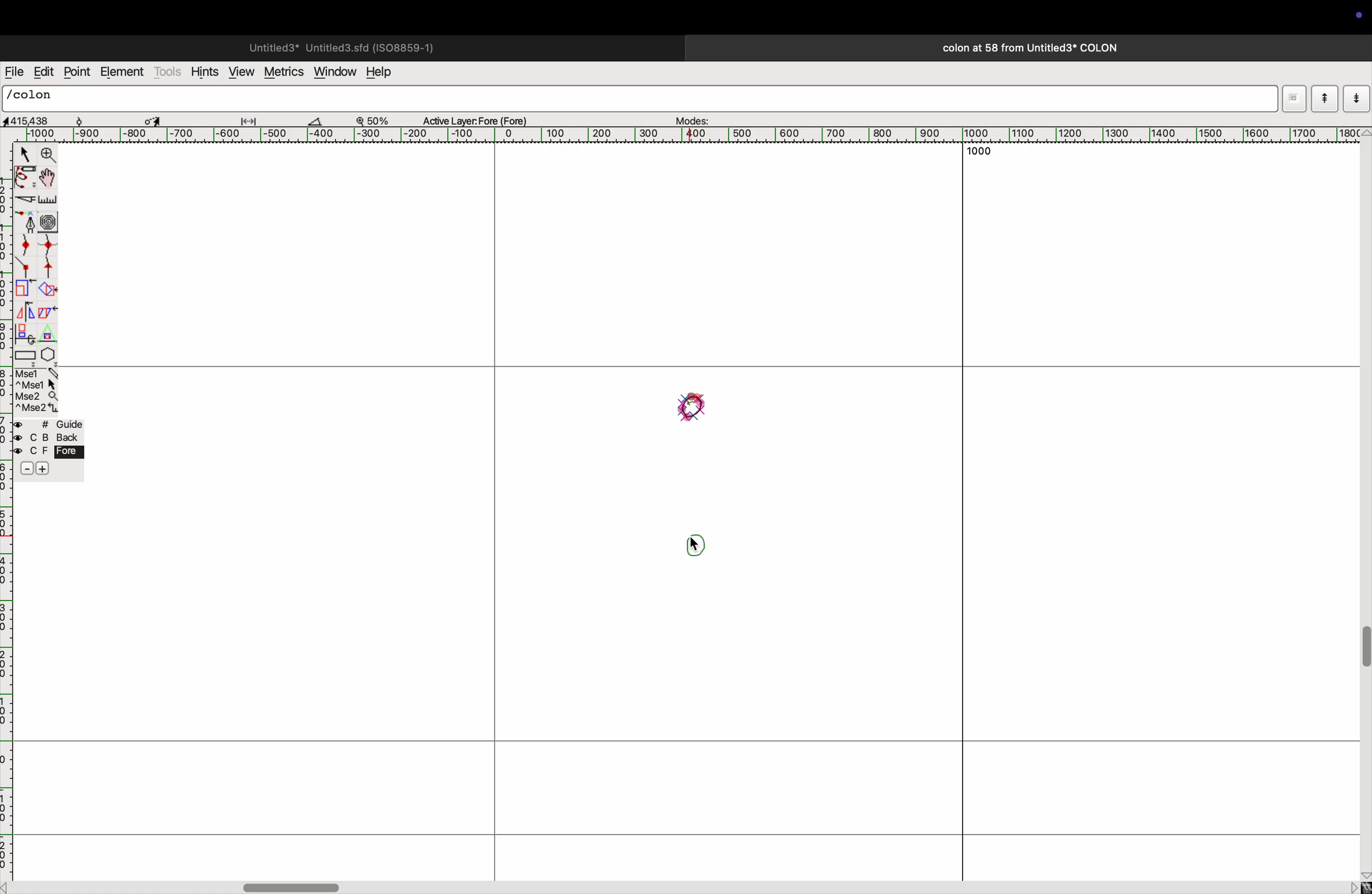 The width and height of the screenshot is (1372, 894). What do you see at coordinates (386, 73) in the screenshot?
I see `hwlp` at bounding box center [386, 73].